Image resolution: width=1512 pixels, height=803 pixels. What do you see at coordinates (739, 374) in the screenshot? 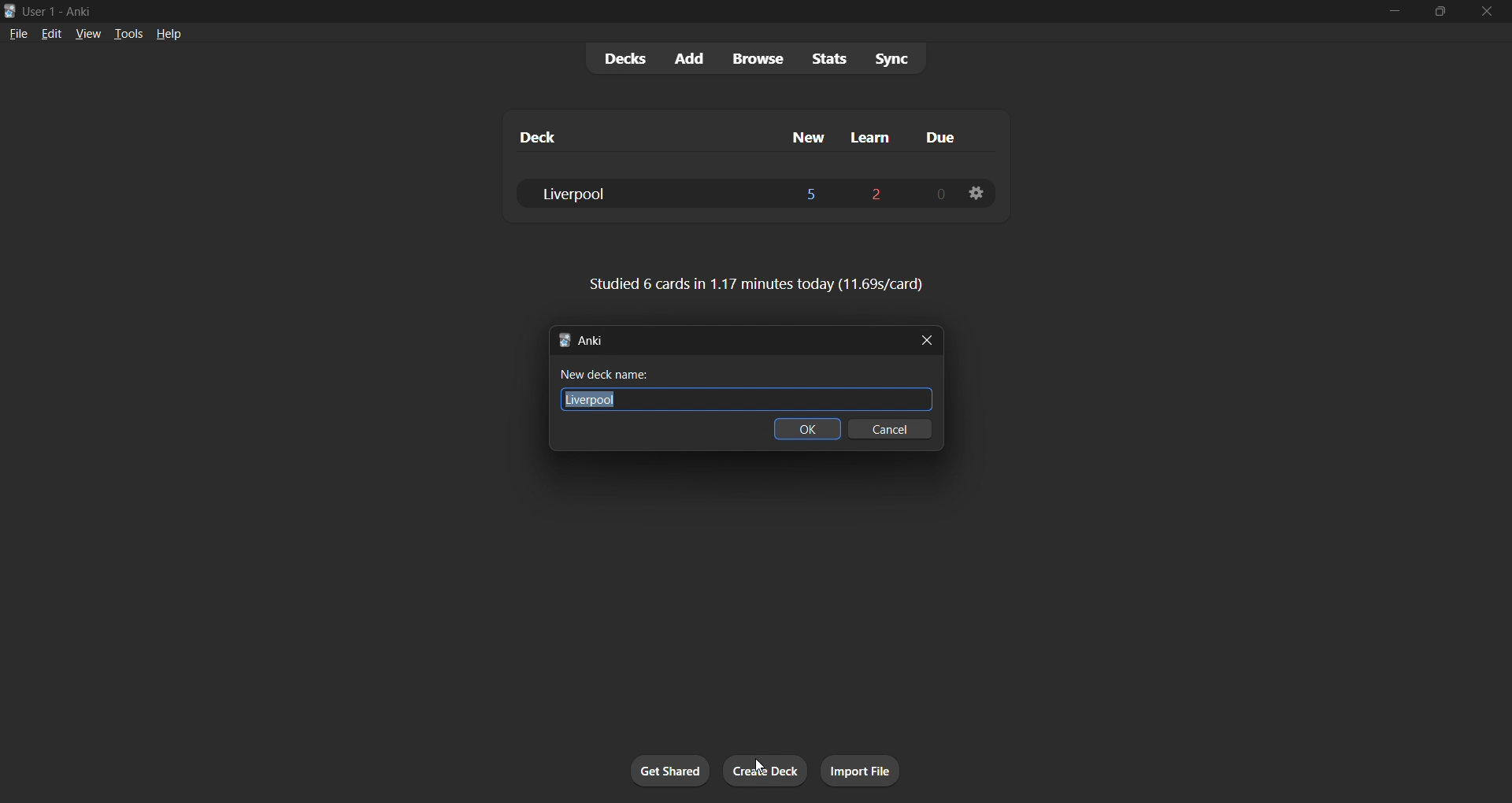
I see `new deck name` at bounding box center [739, 374].